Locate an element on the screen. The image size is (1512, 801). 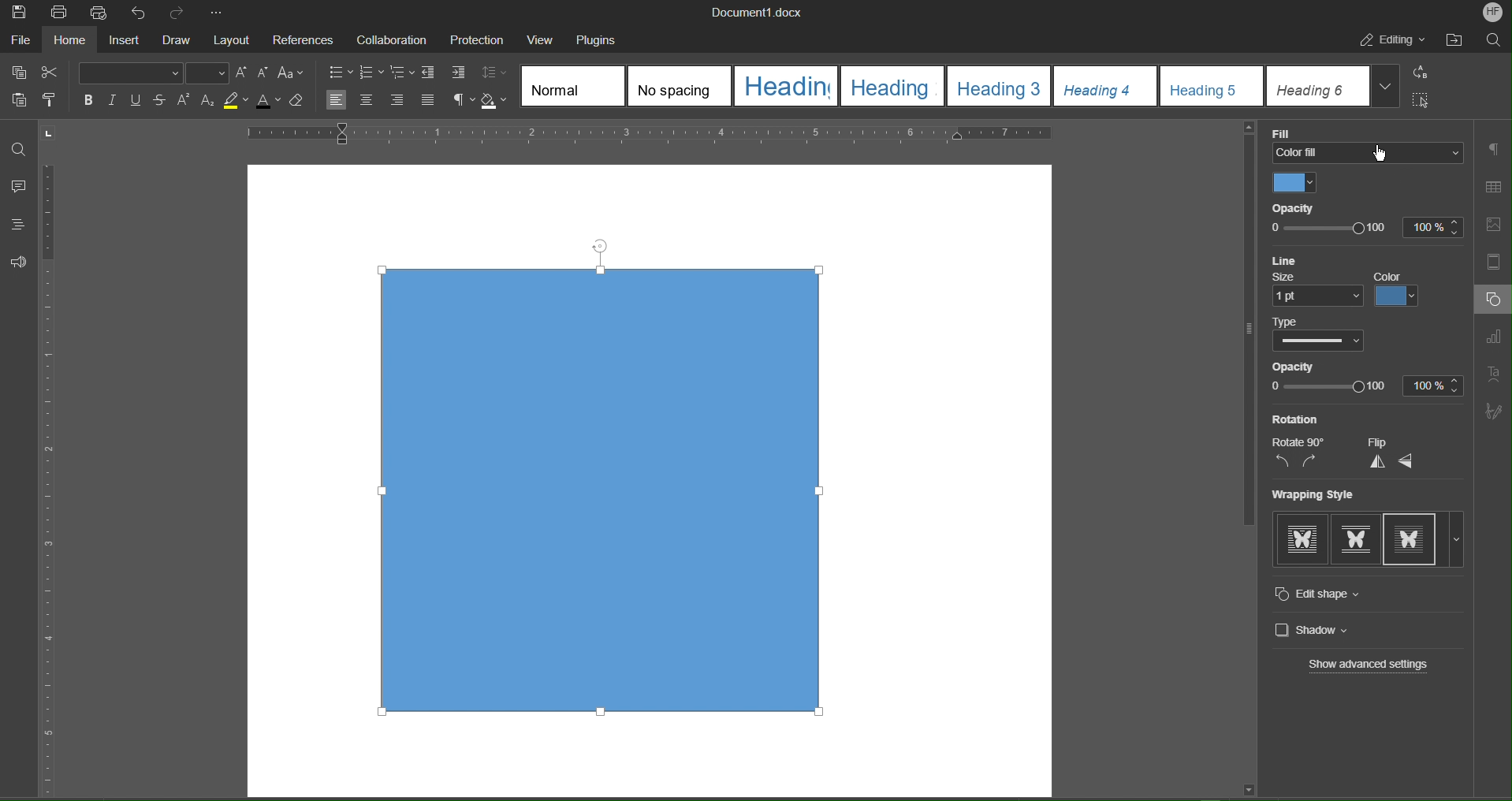
Rotate 90 is located at coordinates (1302, 441).